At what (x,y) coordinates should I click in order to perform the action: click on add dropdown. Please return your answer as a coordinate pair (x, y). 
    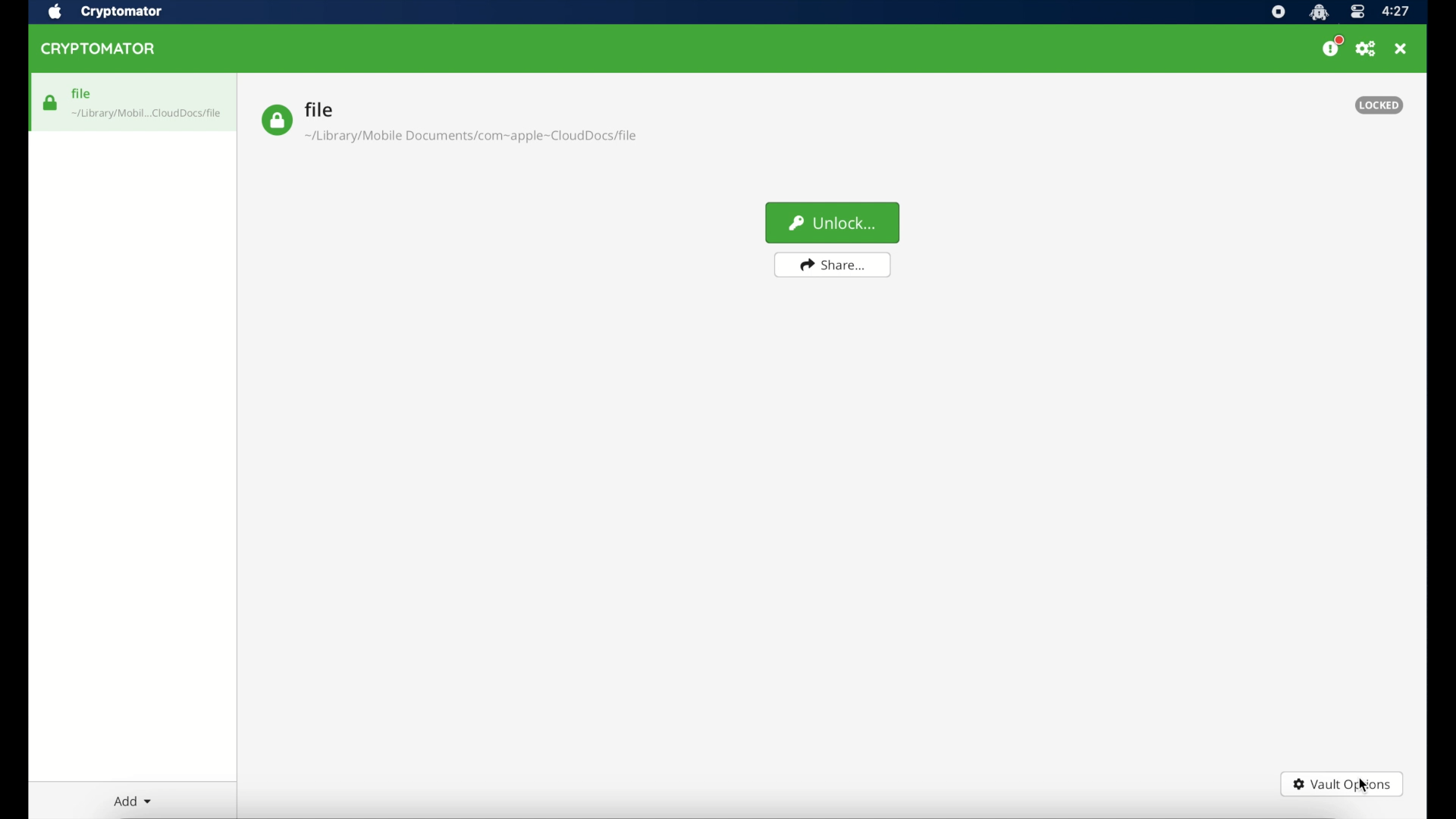
    Looking at the image, I should click on (130, 801).